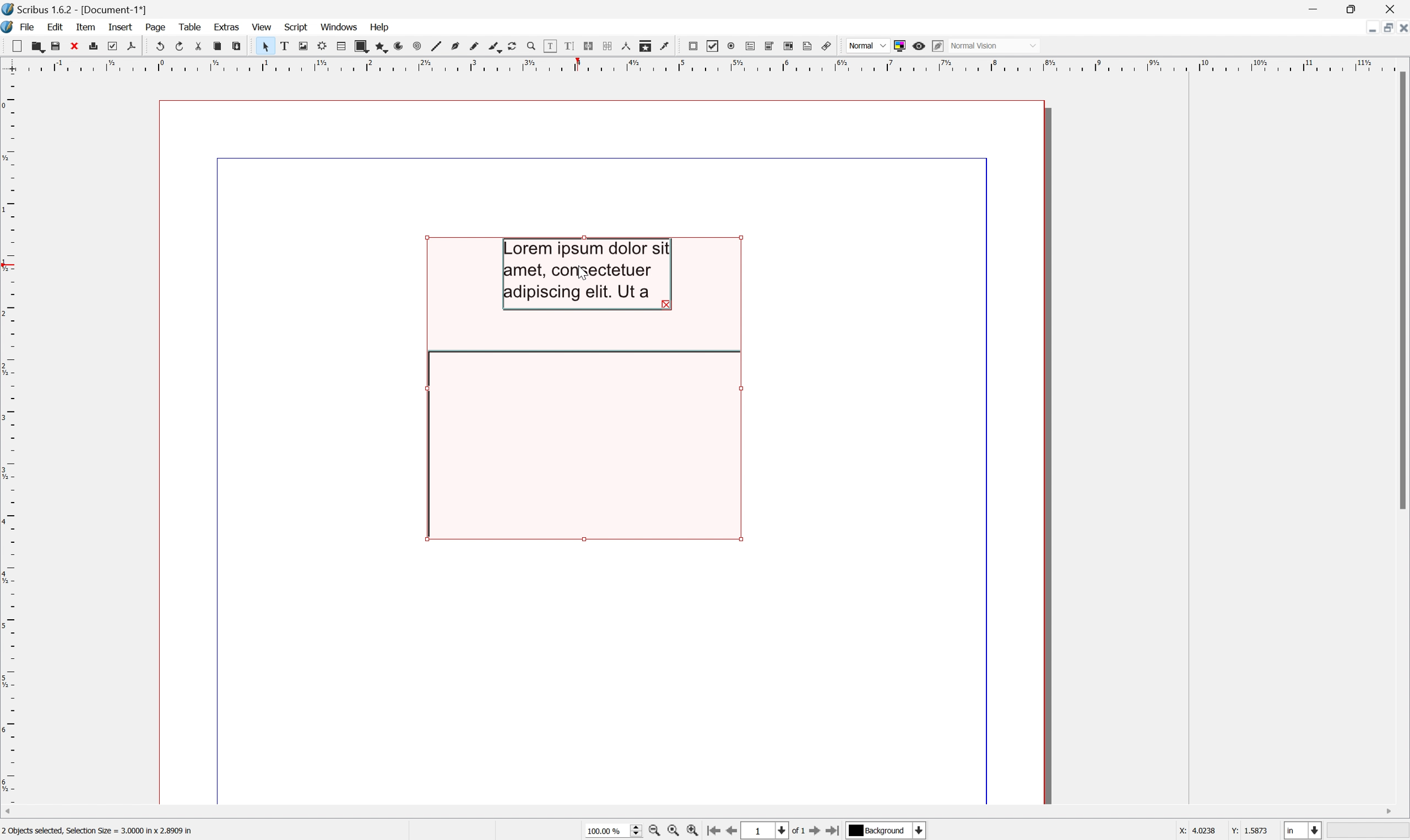 This screenshot has width=1410, height=840. Describe the element at coordinates (380, 27) in the screenshot. I see `Help` at that location.